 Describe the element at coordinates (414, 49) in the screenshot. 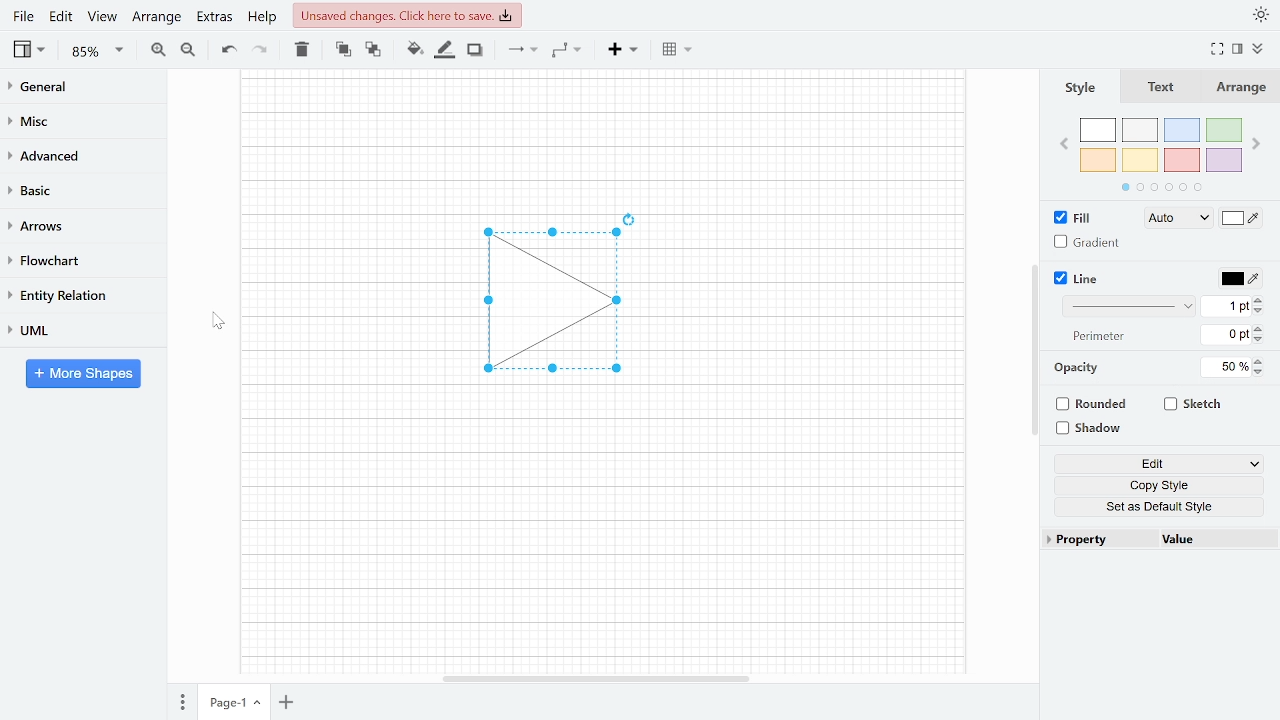

I see `Fill color` at that location.